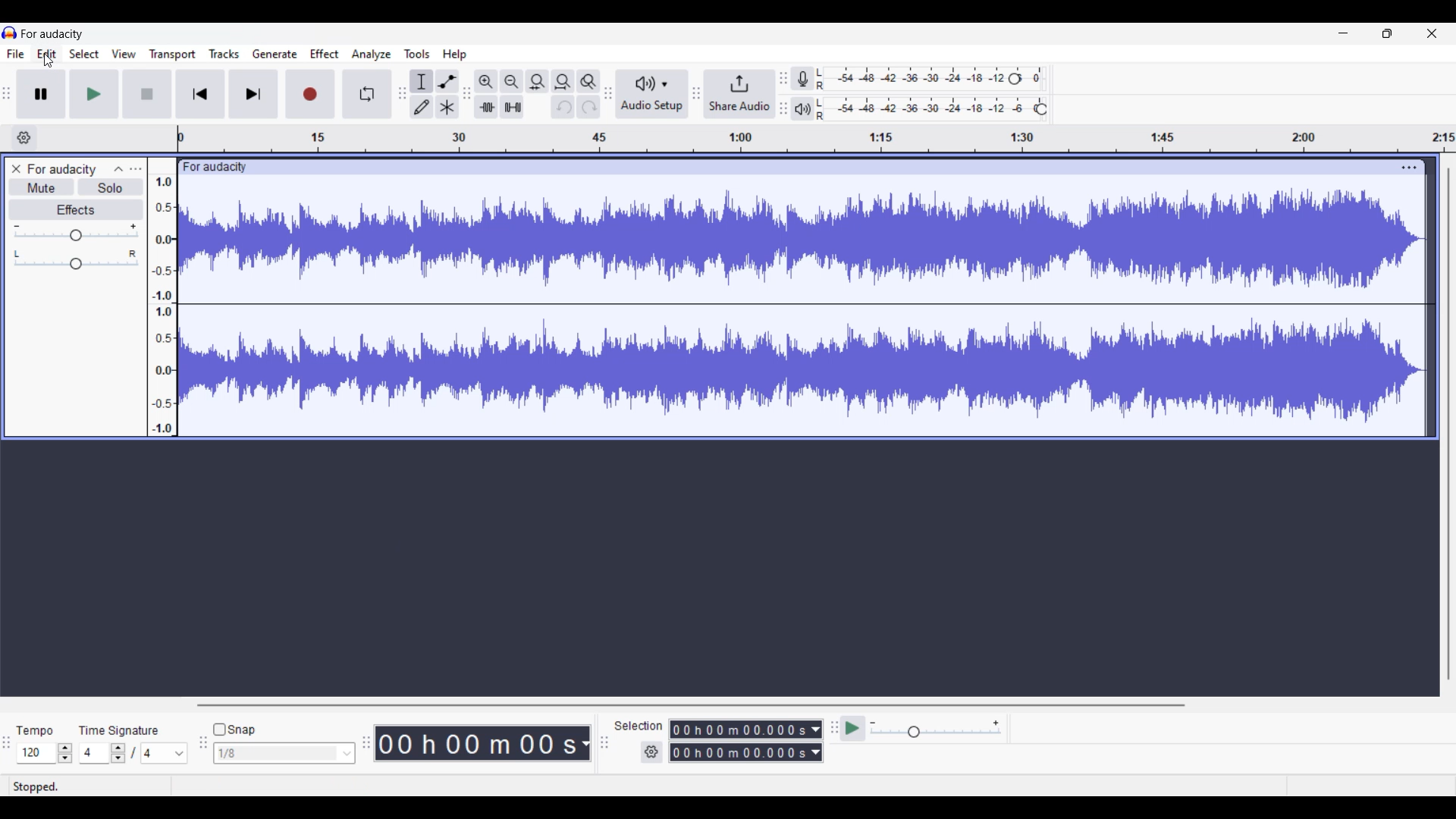  Describe the element at coordinates (513, 107) in the screenshot. I see `Silence audio selection` at that location.